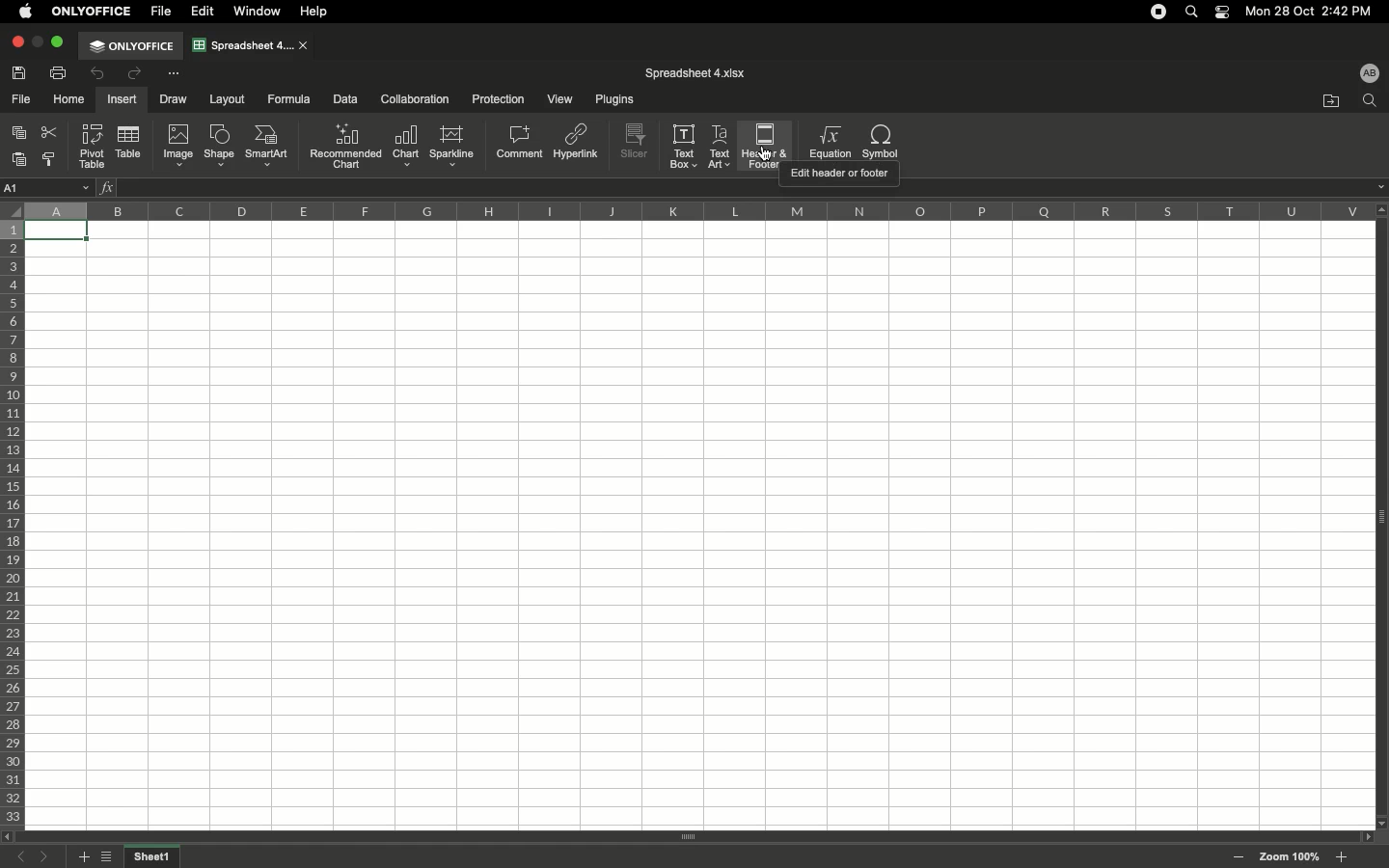 The height and width of the screenshot is (868, 1389). I want to click on Search, so click(1194, 11).